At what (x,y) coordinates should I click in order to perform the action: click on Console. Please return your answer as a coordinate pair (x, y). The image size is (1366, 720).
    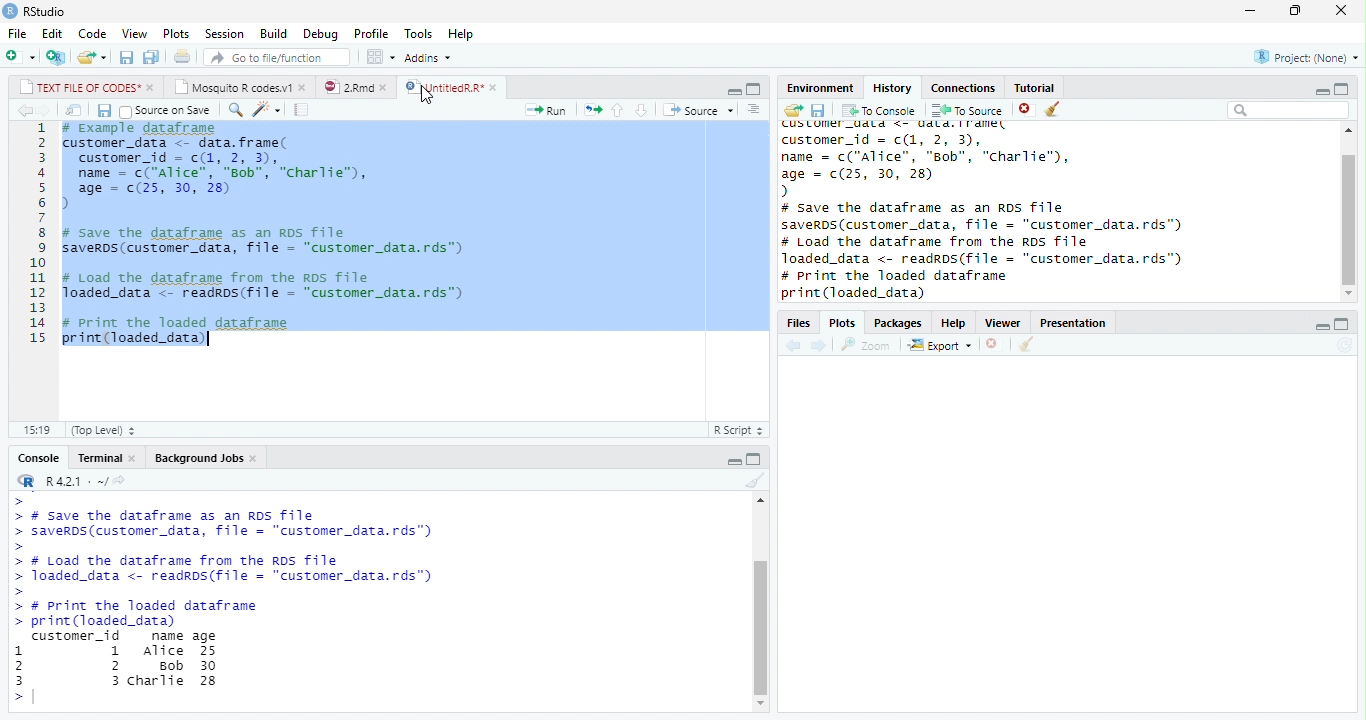
    Looking at the image, I should click on (39, 458).